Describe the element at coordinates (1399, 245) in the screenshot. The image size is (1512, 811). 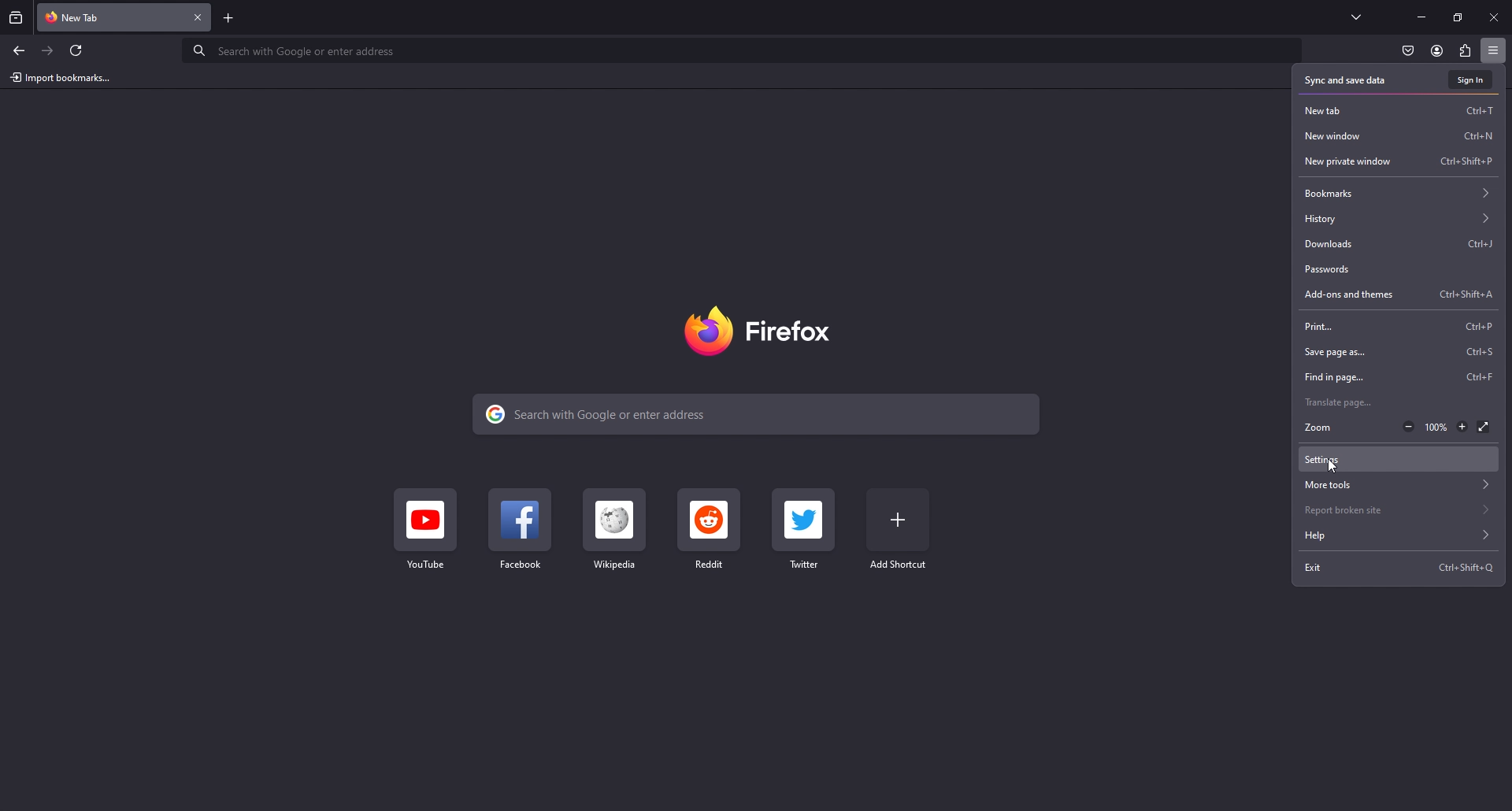
I see `downloads` at that location.